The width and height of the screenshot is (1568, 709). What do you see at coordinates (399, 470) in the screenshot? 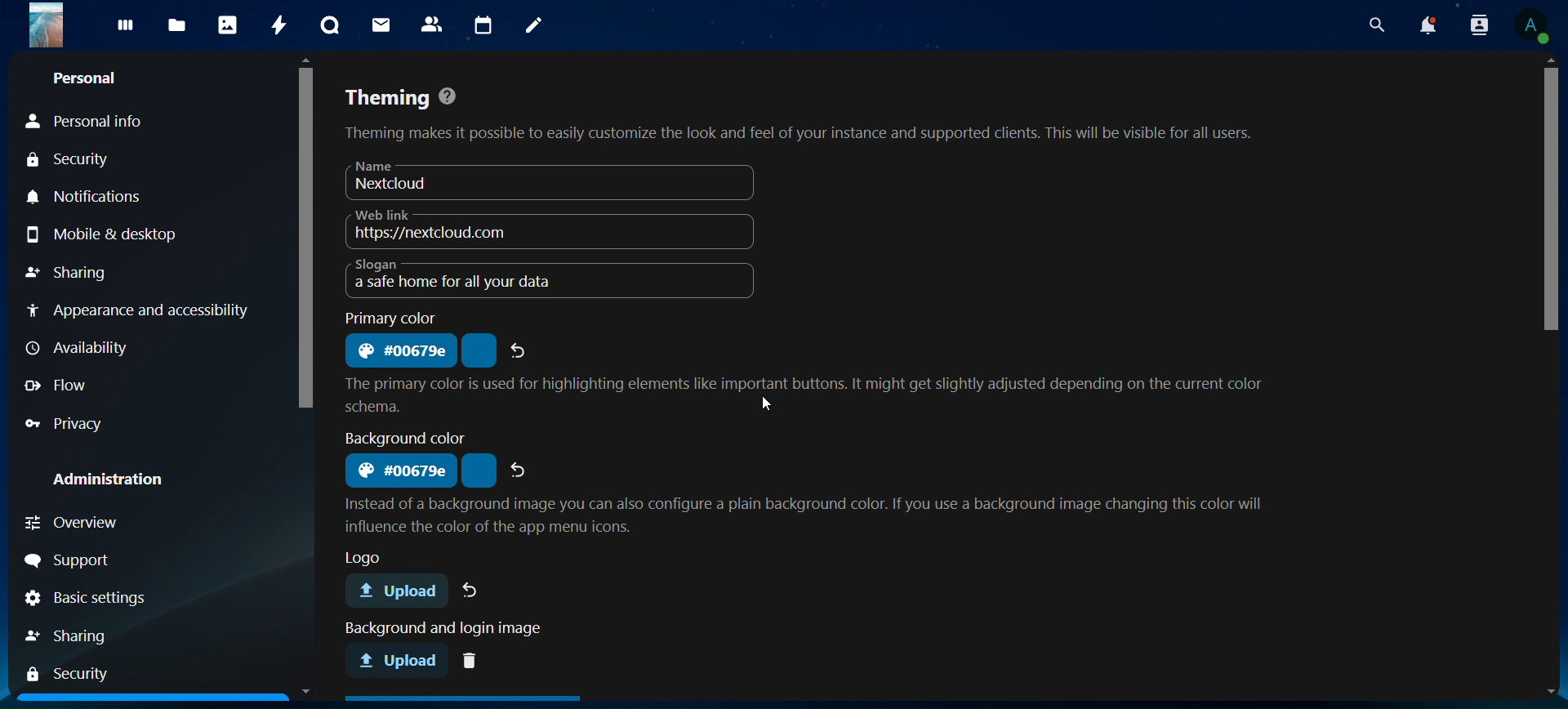
I see `background color` at bounding box center [399, 470].